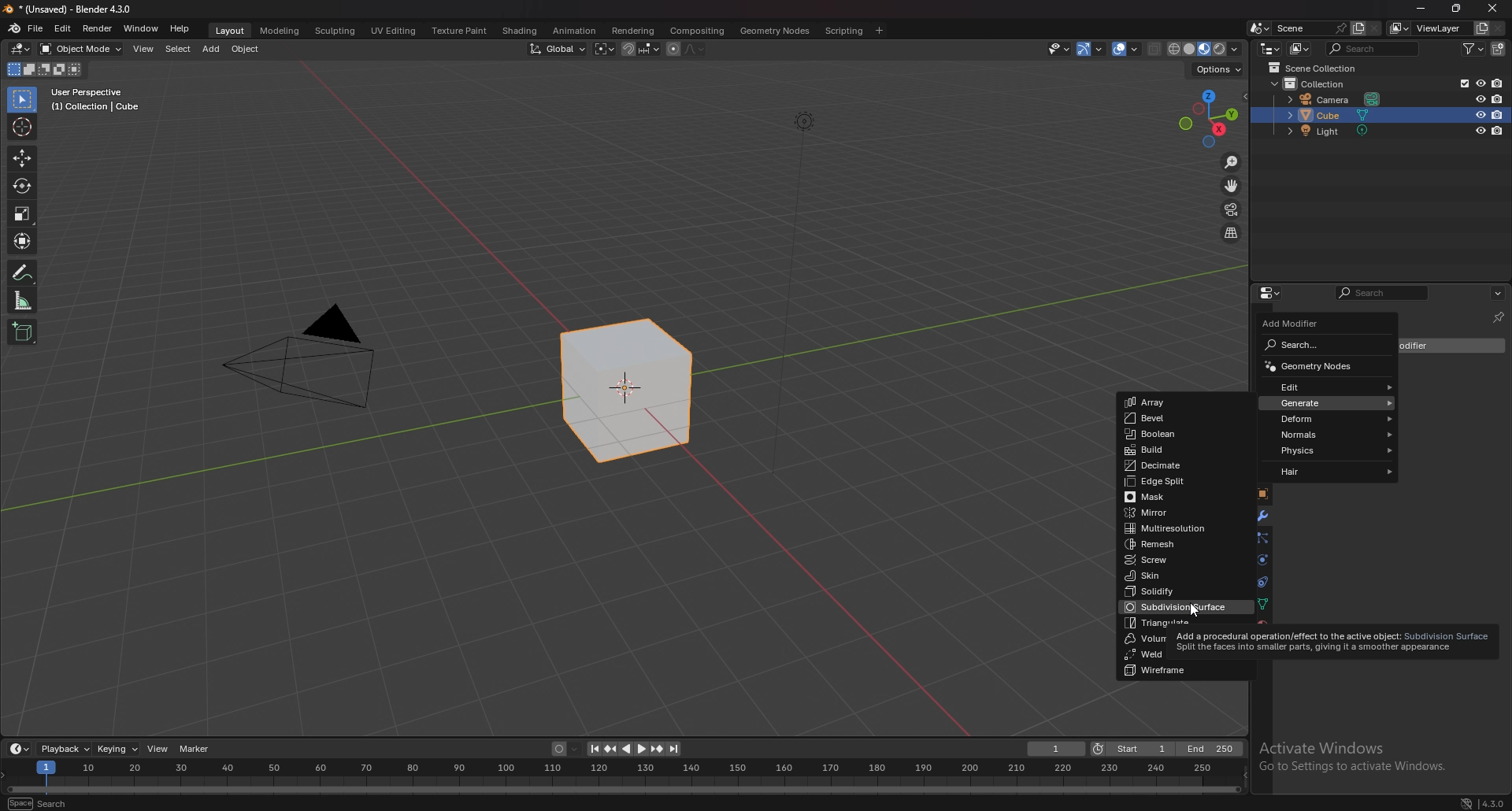 This screenshot has width=1512, height=811. I want to click on version, so click(1494, 802).